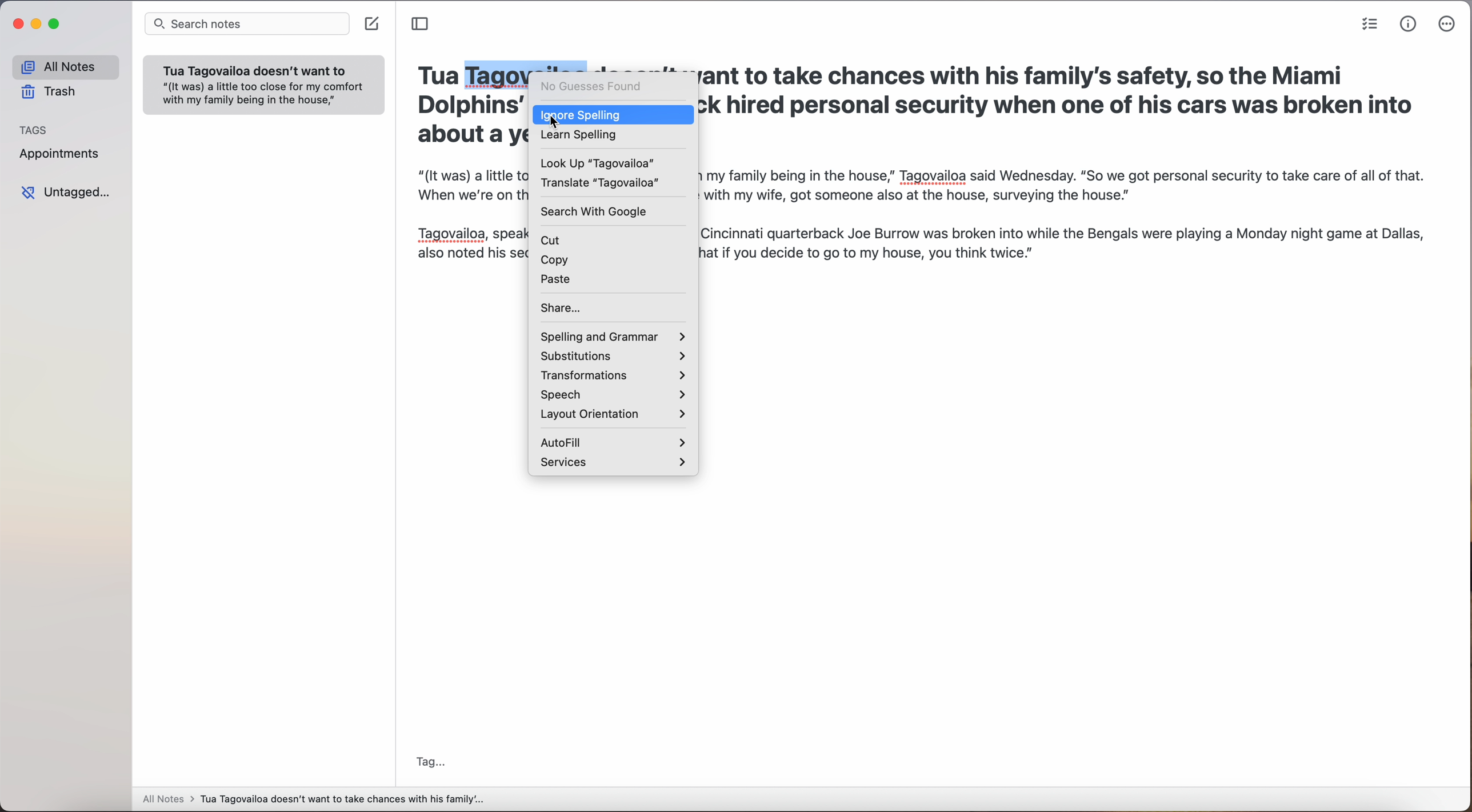 This screenshot has width=1472, height=812. What do you see at coordinates (69, 194) in the screenshot?
I see `untagged` at bounding box center [69, 194].